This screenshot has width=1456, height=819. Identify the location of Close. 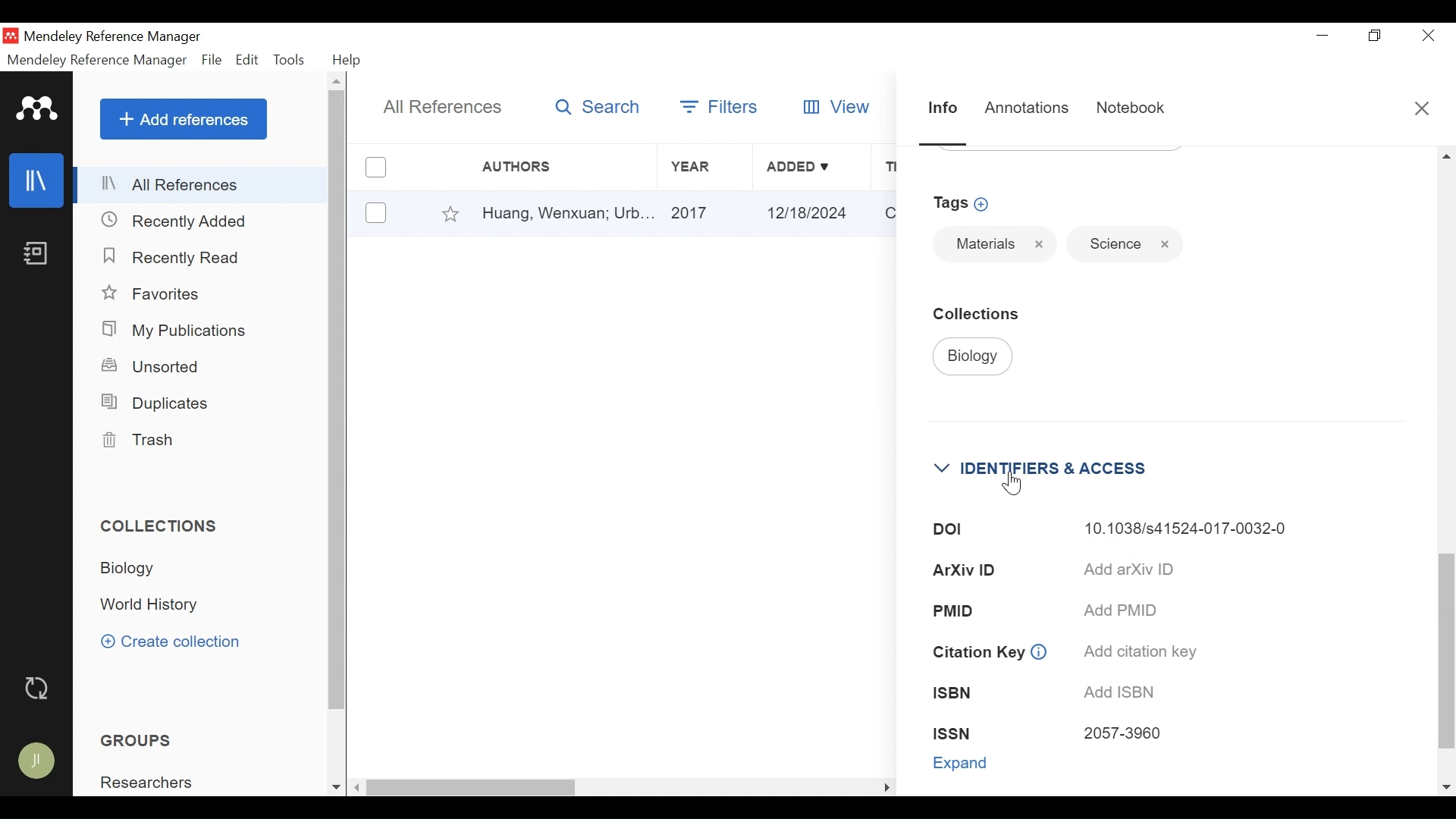
(1428, 35).